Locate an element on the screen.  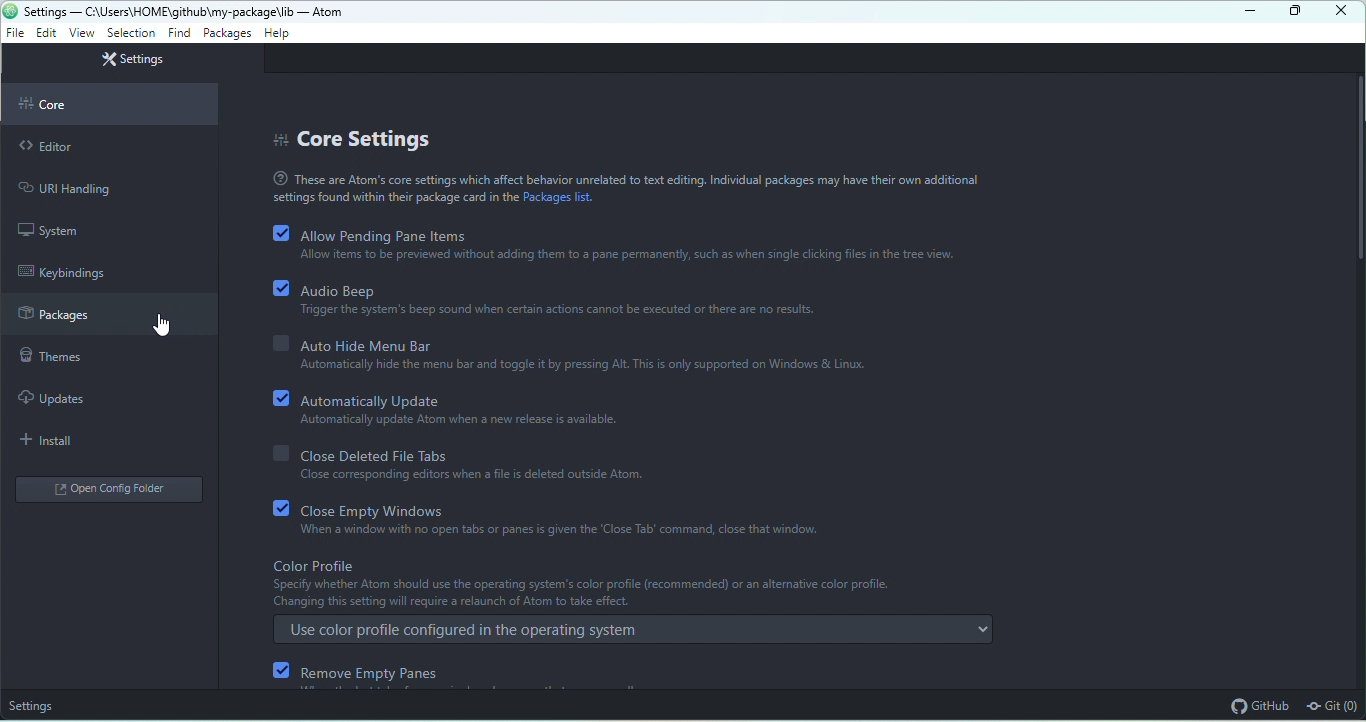
git is located at coordinates (1333, 707).